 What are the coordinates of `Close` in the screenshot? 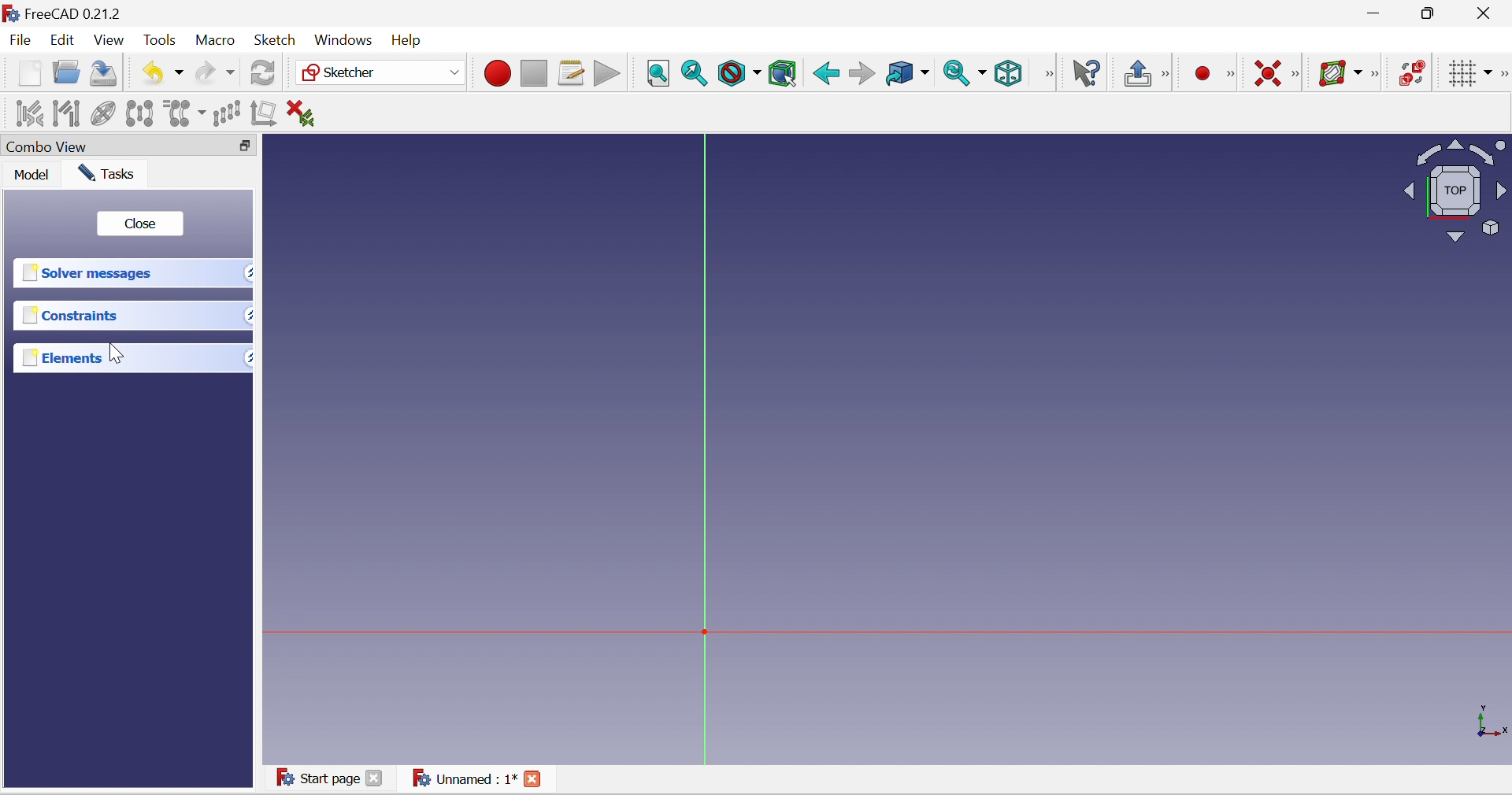 It's located at (1487, 15).